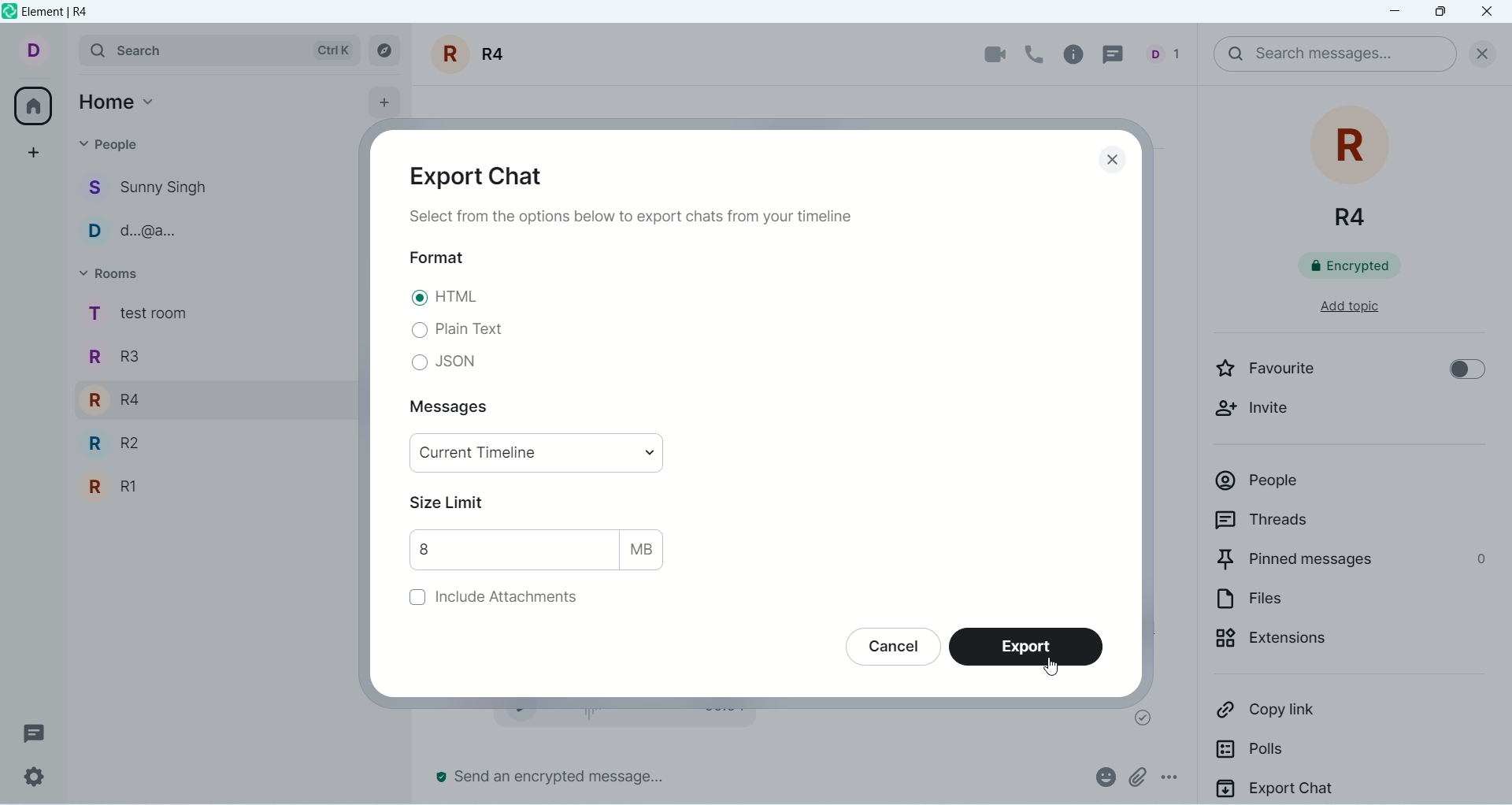 This screenshot has width=1512, height=805. Describe the element at coordinates (120, 150) in the screenshot. I see `people` at that location.